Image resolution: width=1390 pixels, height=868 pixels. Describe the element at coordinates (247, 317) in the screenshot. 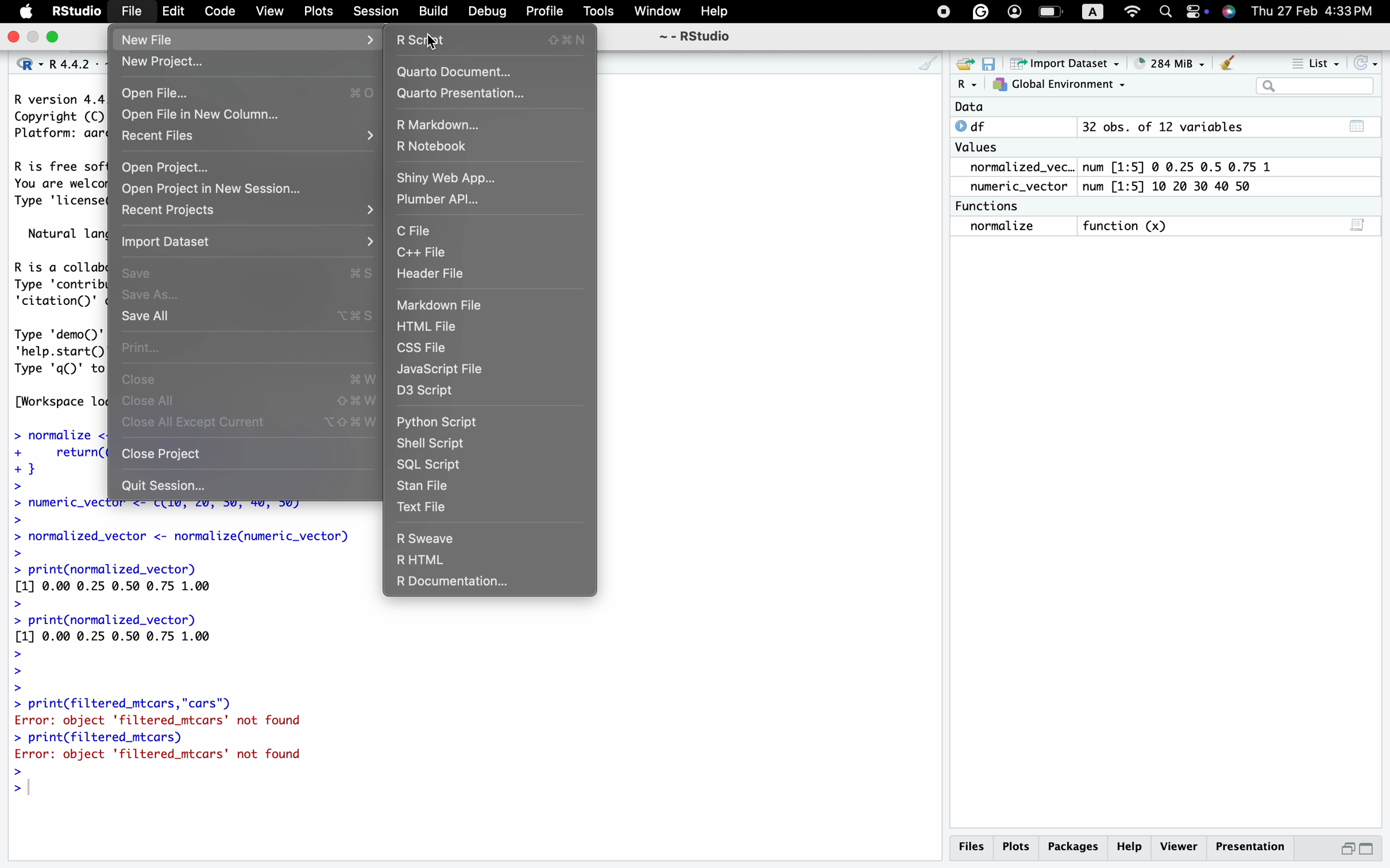

I see `Save All` at that location.